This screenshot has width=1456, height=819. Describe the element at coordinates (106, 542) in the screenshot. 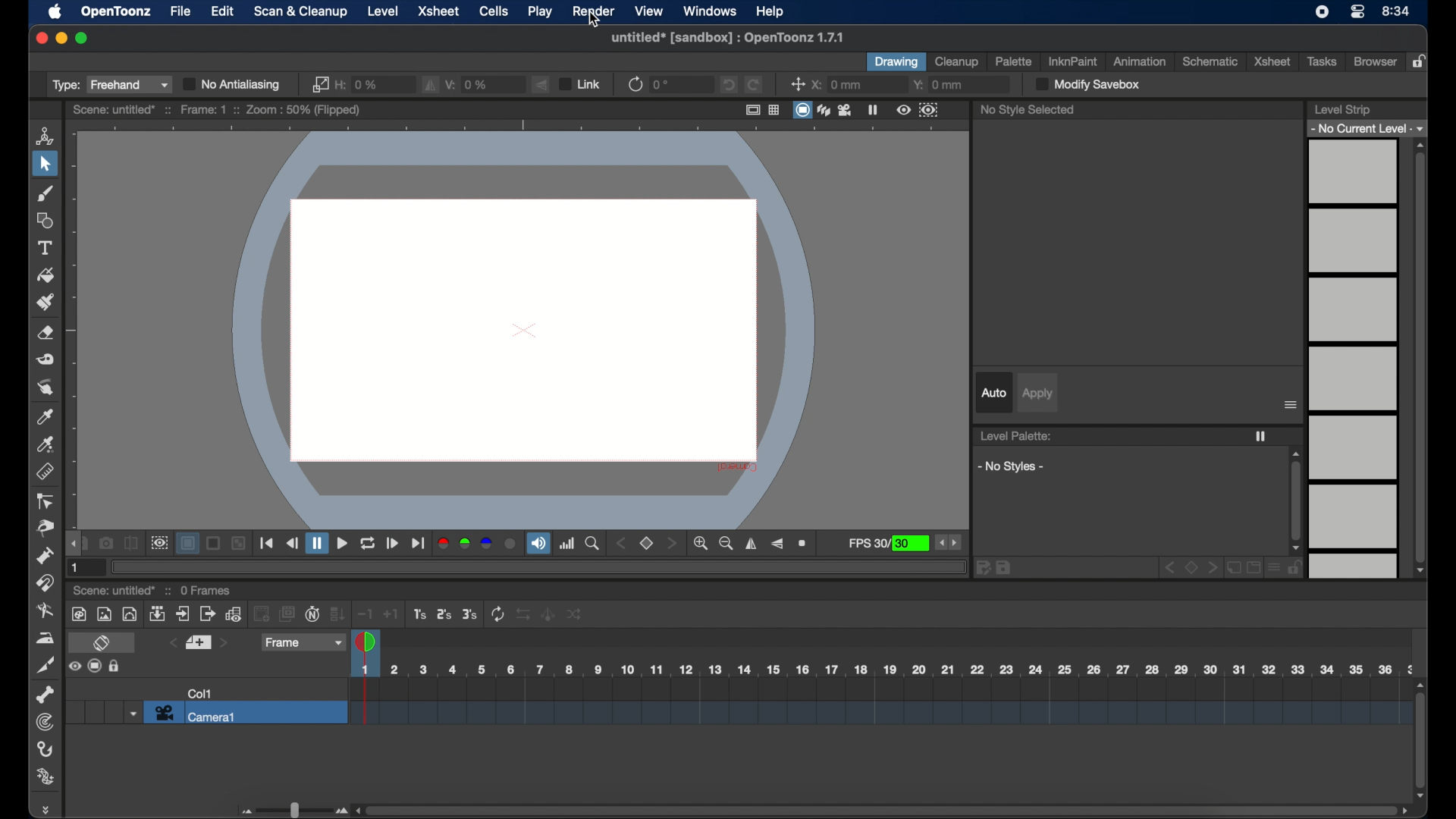

I see `snapshot` at that location.